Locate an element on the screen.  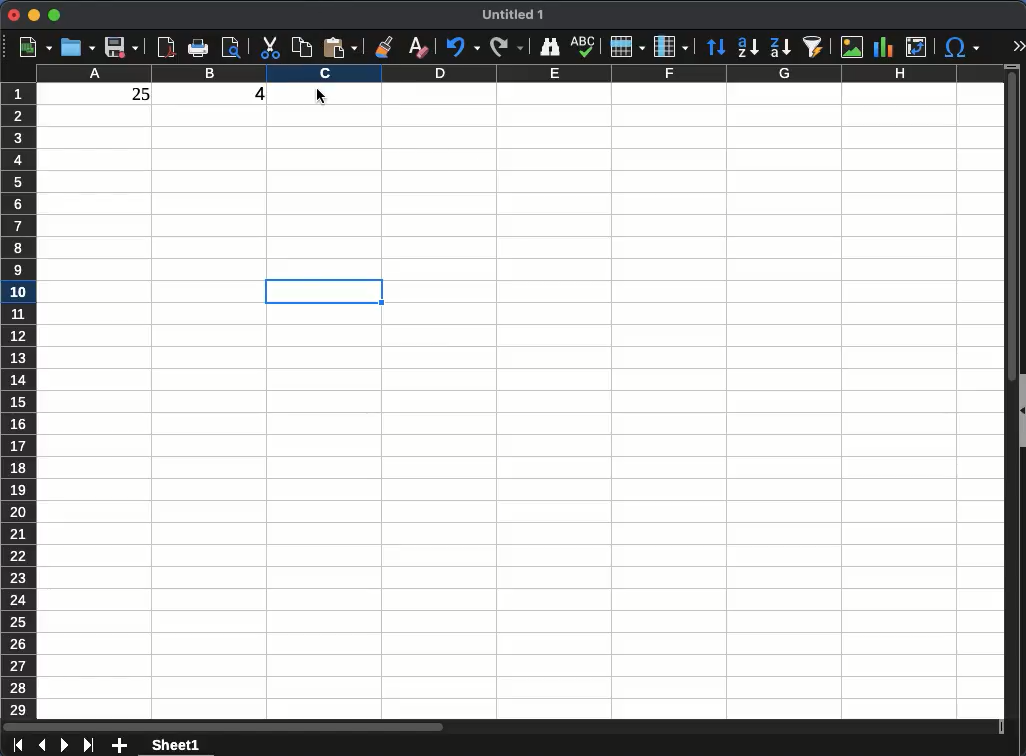
Untitled 1 is located at coordinates (515, 15).